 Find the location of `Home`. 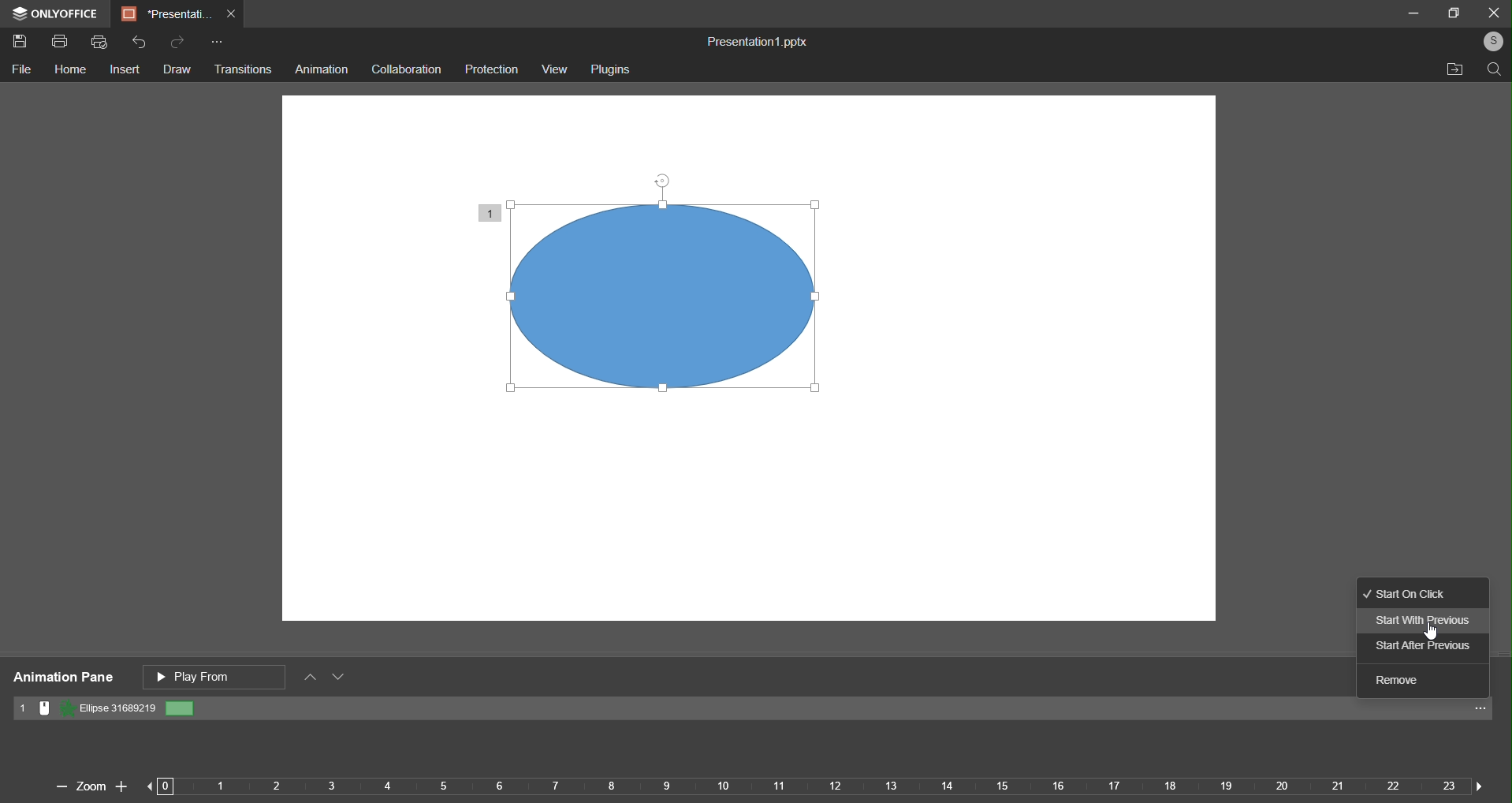

Home is located at coordinates (69, 71).